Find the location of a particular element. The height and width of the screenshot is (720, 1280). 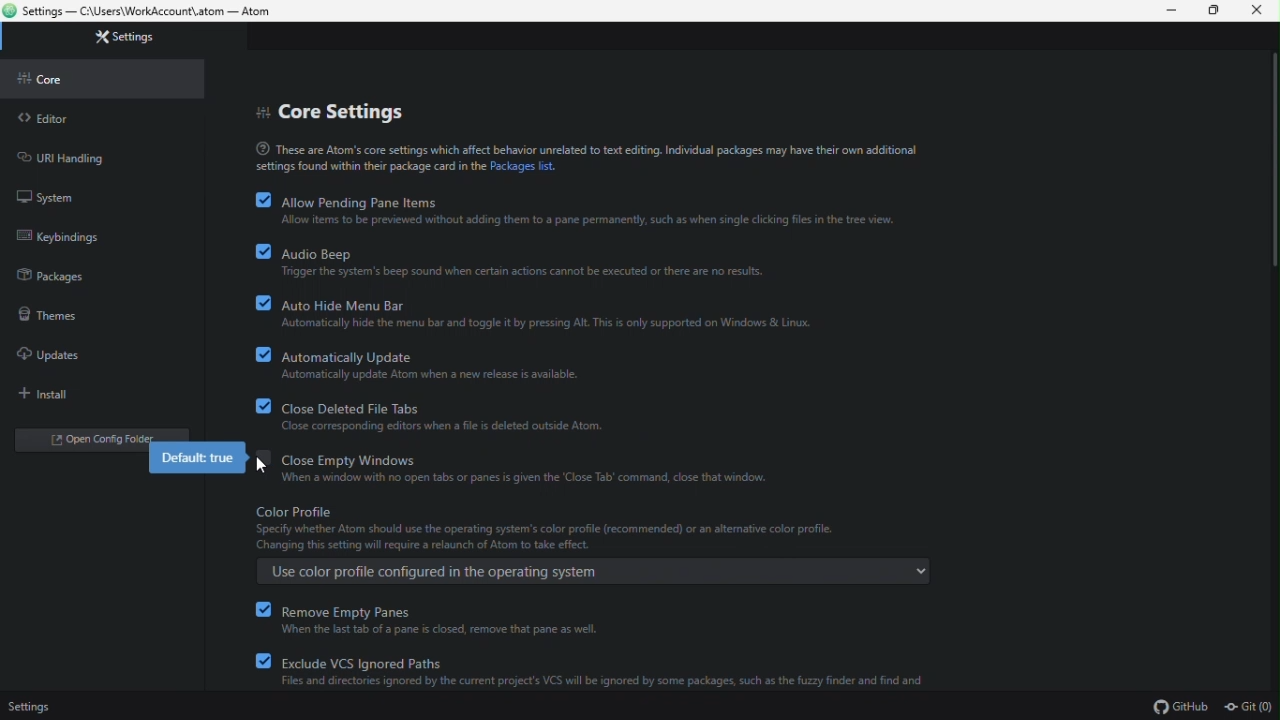

core settings is located at coordinates (333, 114).